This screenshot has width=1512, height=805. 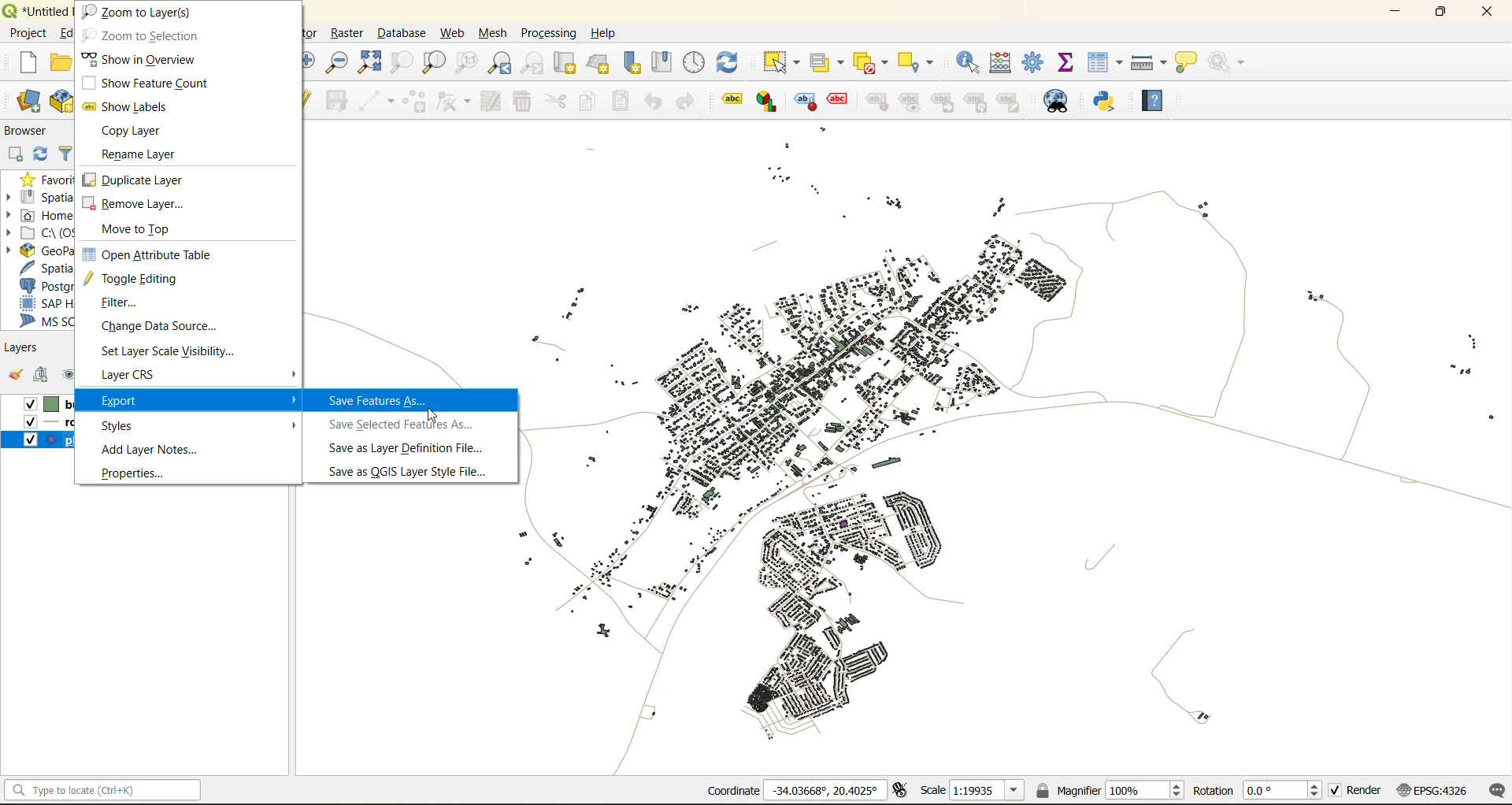 I want to click on processing, so click(x=549, y=30).